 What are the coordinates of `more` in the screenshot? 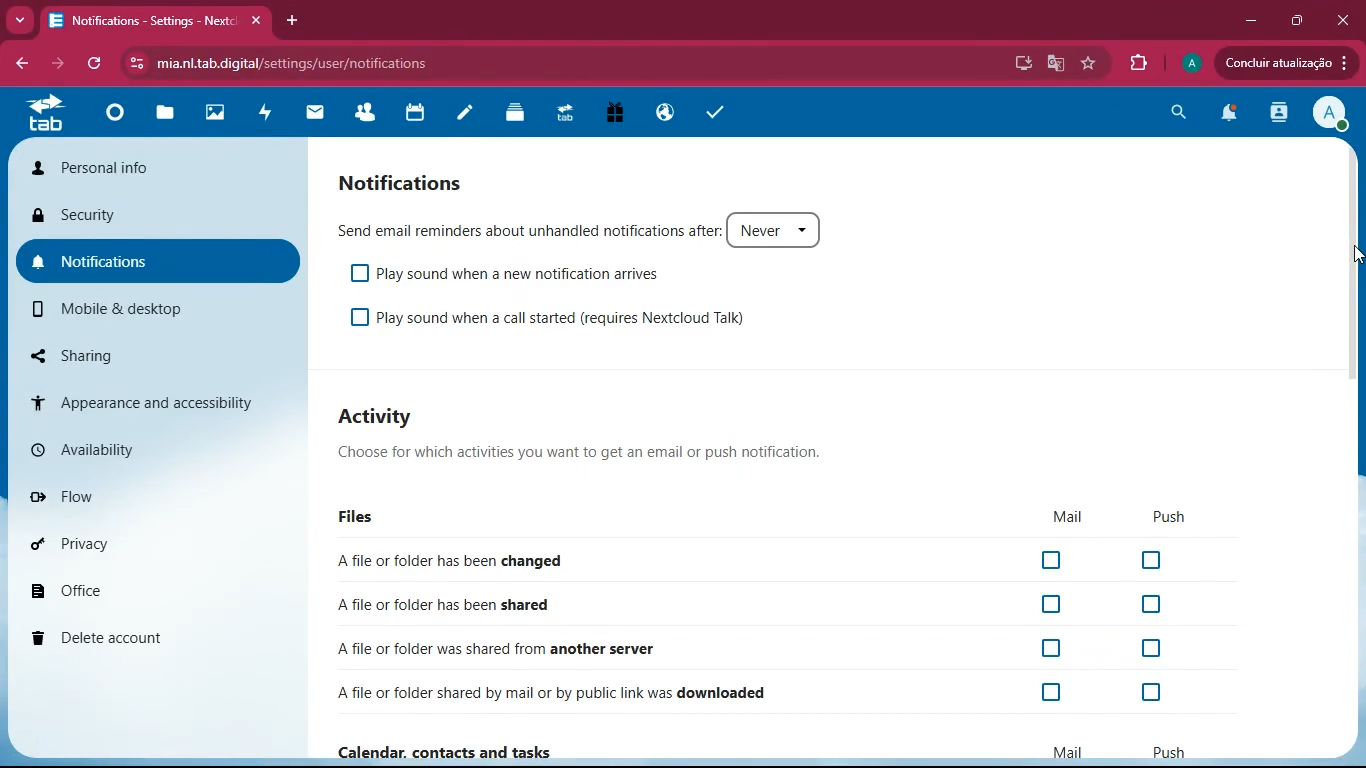 It's located at (20, 19).